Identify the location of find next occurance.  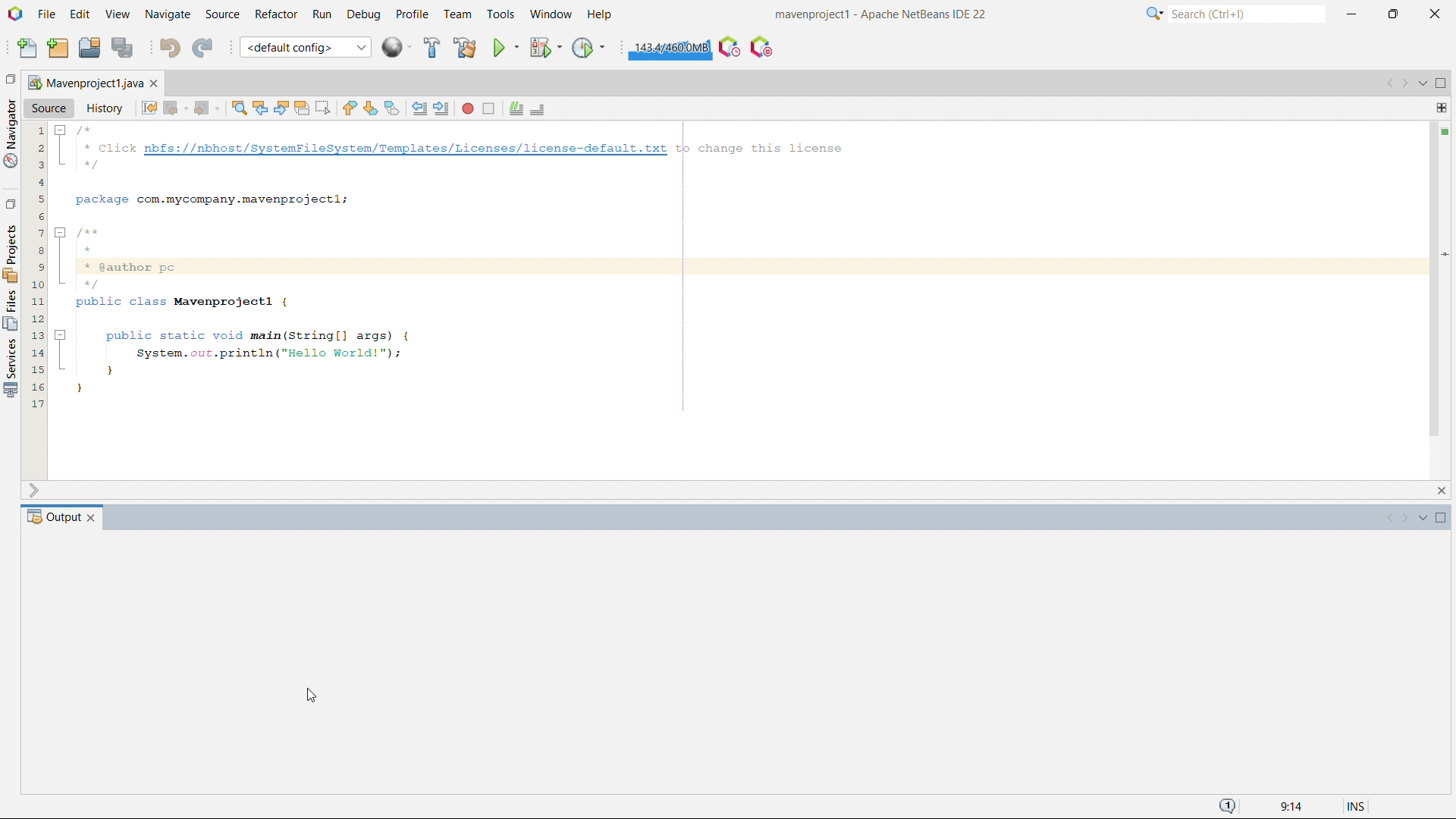
(281, 109).